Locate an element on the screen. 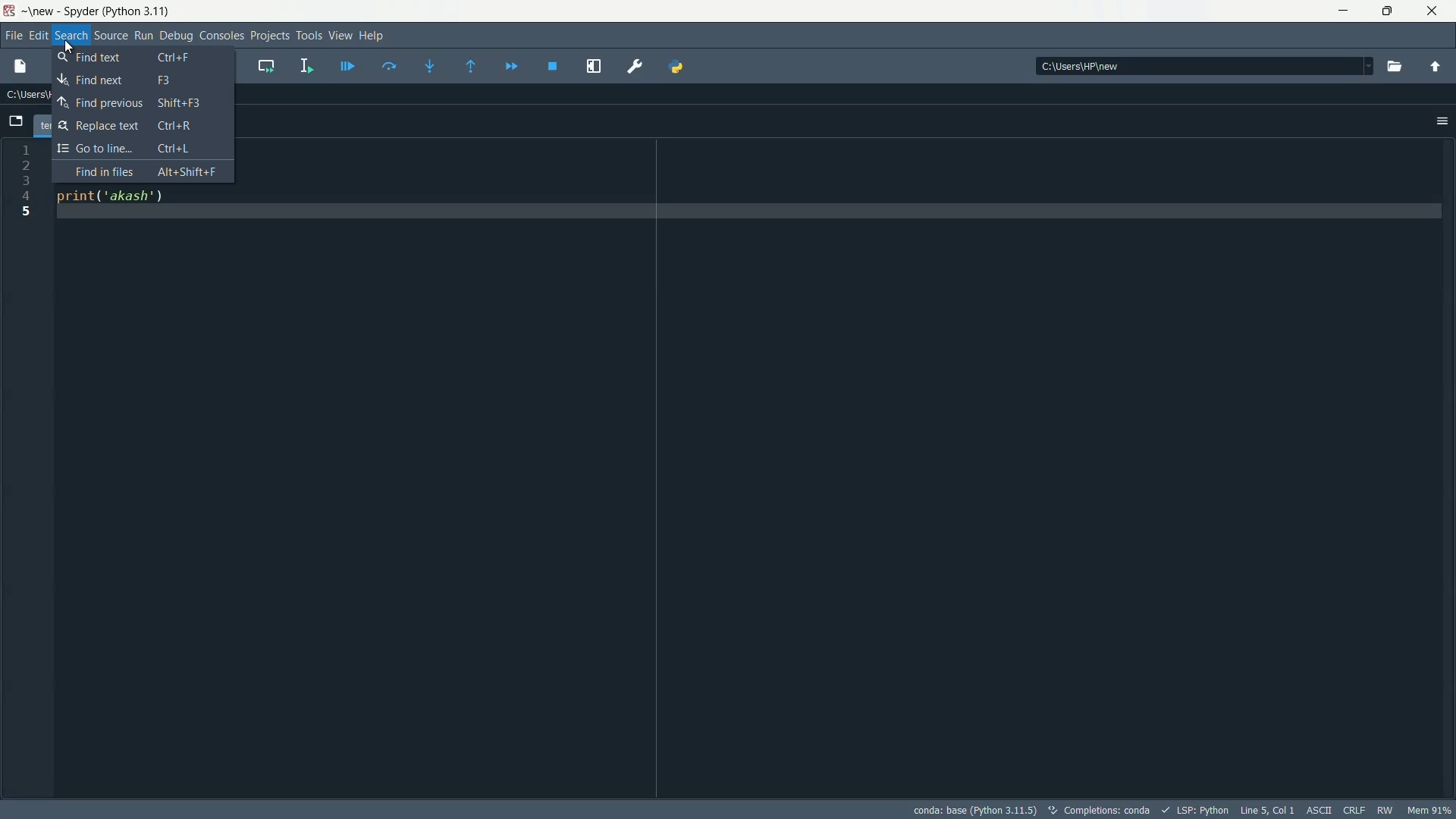 The width and height of the screenshot is (1456, 819). CRLF is located at coordinates (1354, 810).